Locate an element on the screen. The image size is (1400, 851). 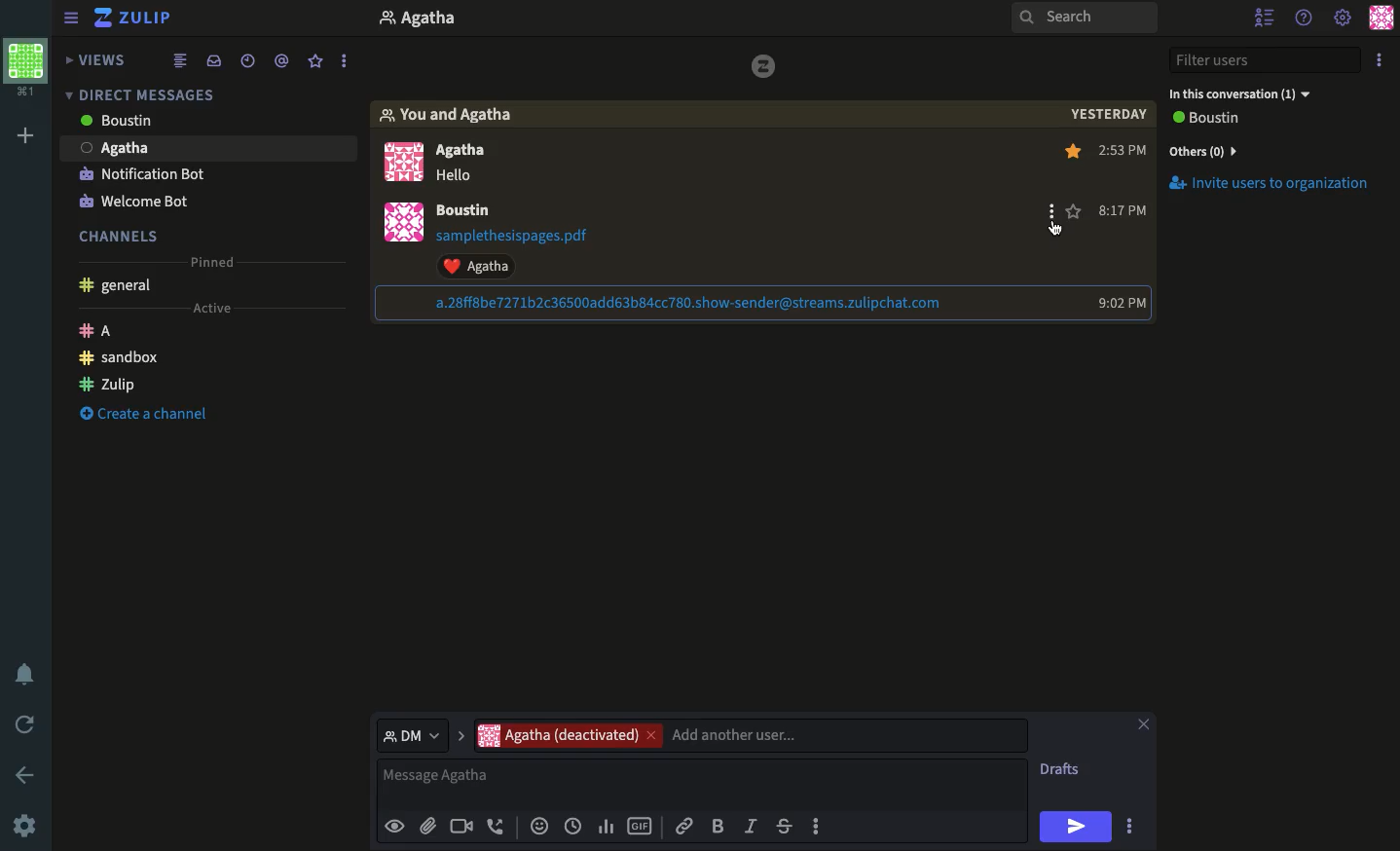
message is located at coordinates (462, 177).